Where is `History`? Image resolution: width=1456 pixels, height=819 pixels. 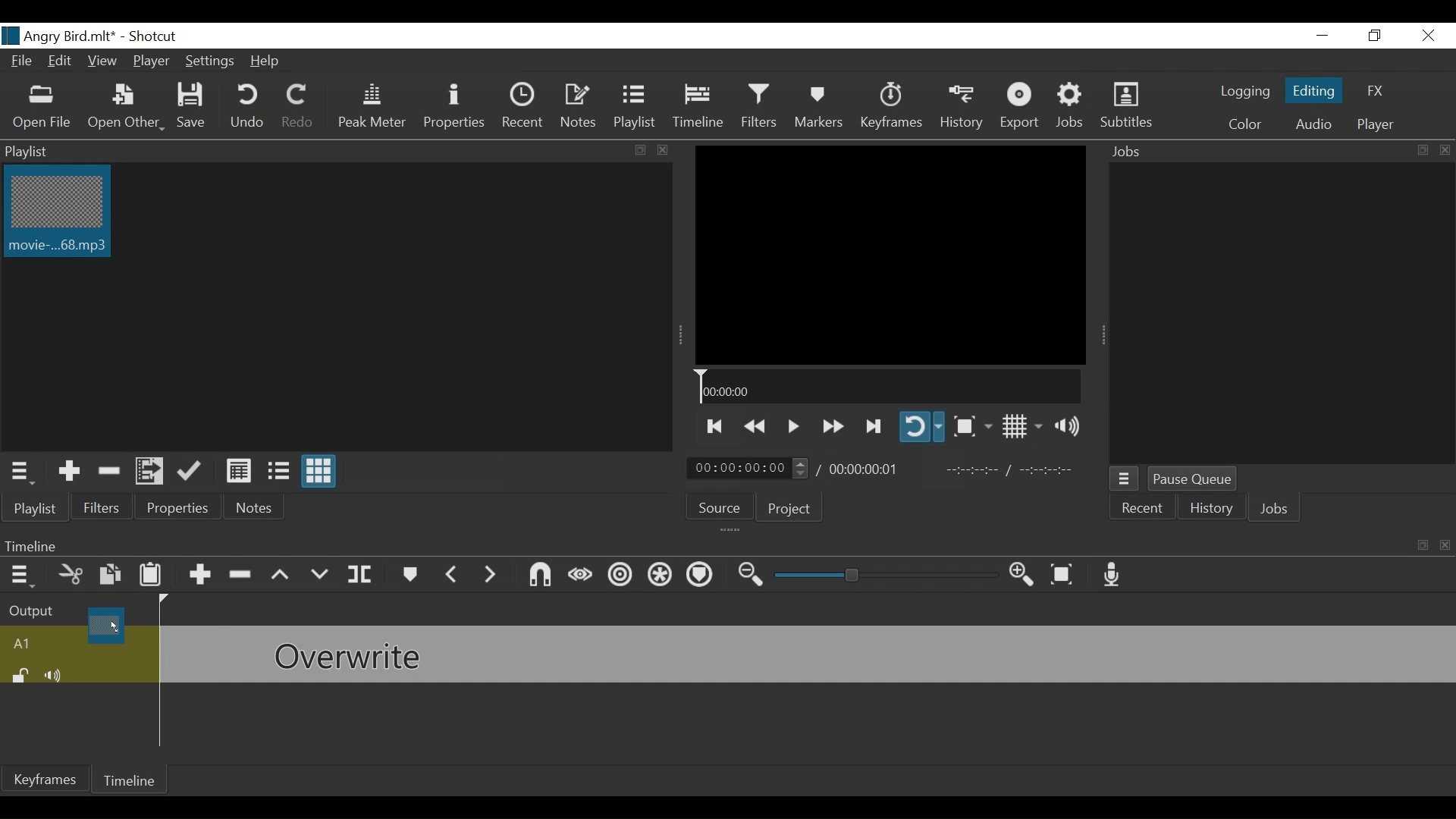
History is located at coordinates (961, 107).